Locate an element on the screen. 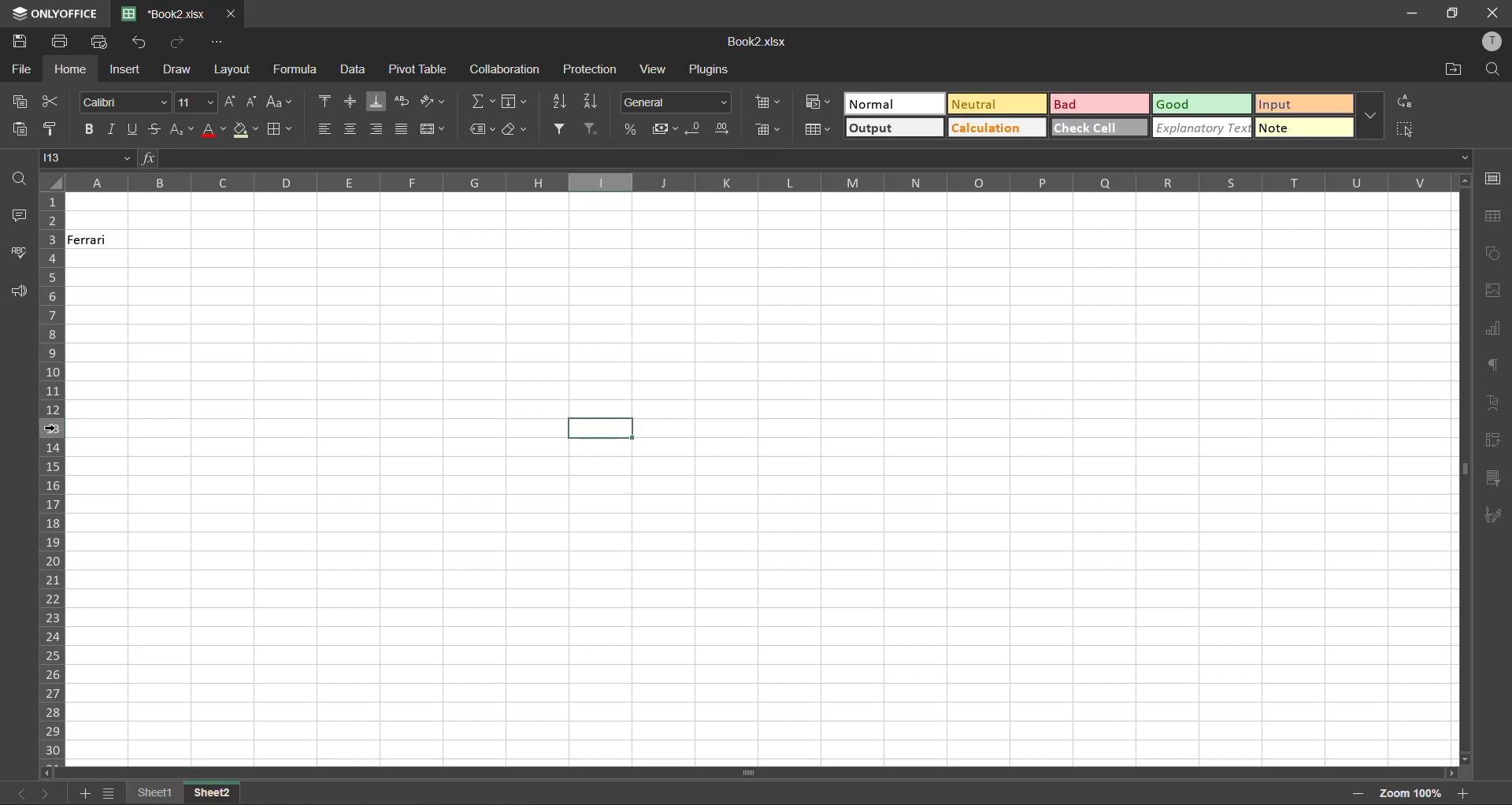 This screenshot has width=1512, height=805. paste is located at coordinates (20, 128).